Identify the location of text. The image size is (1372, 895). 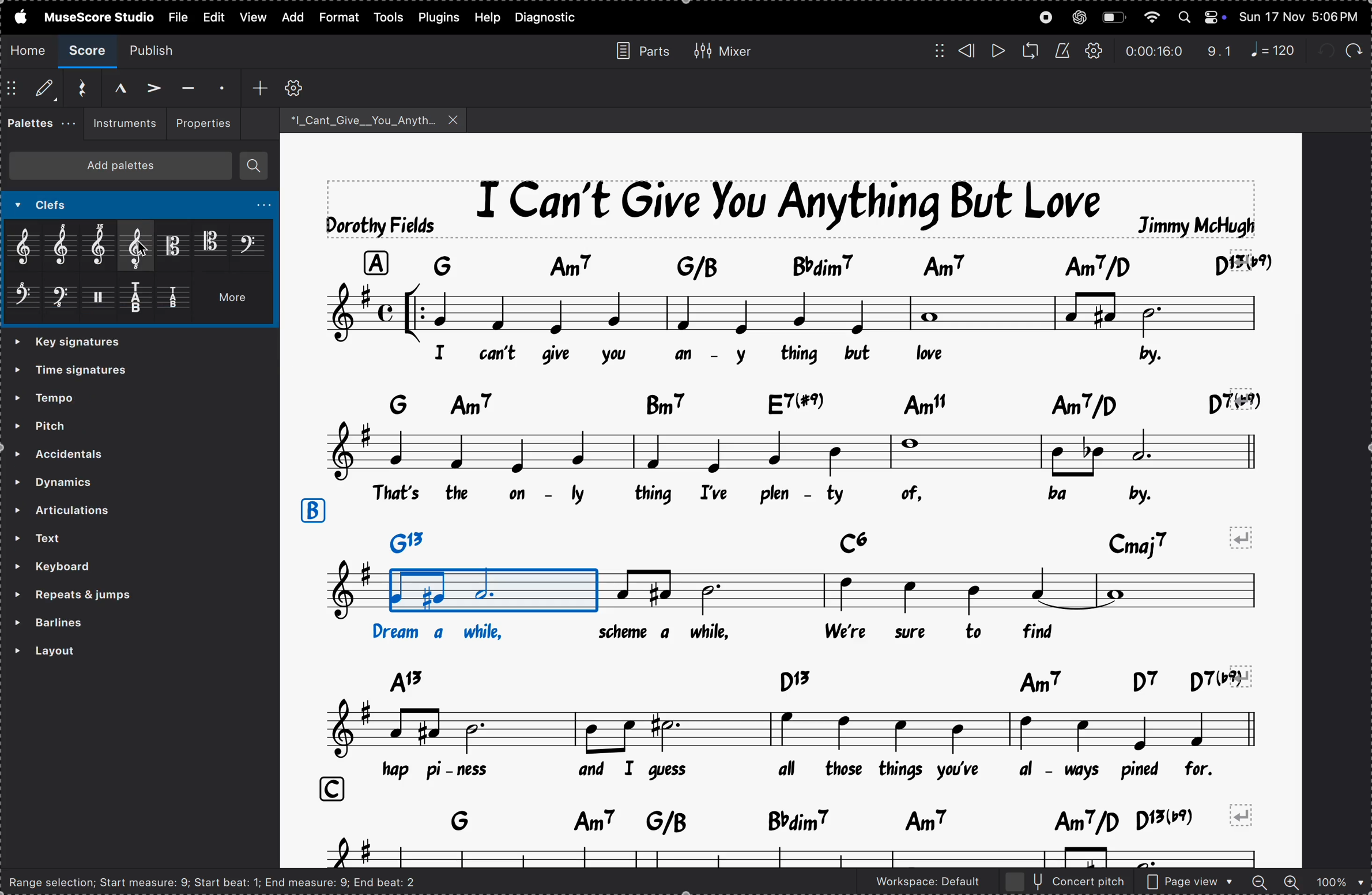
(118, 538).